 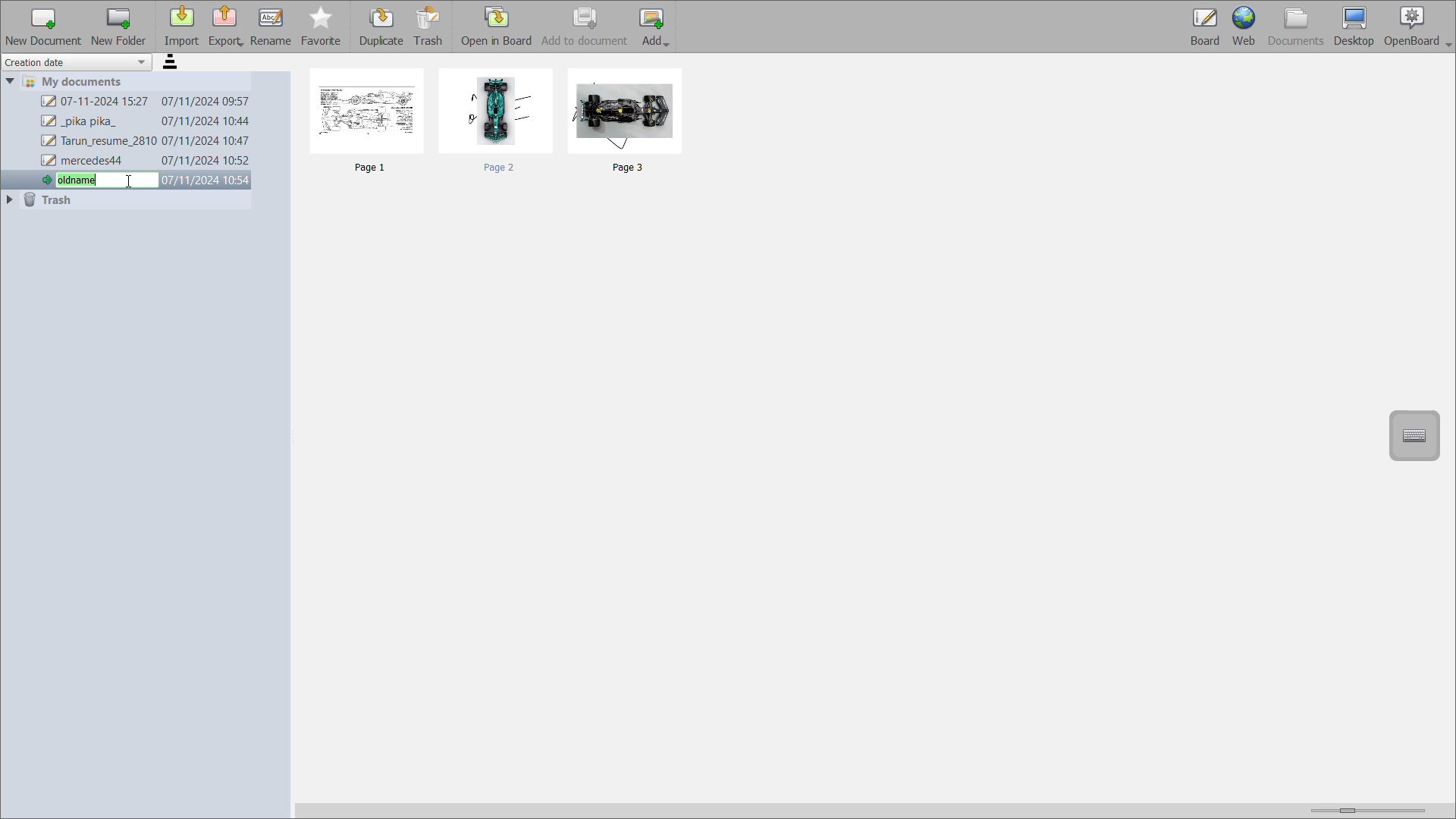 I want to click on new document, so click(x=42, y=26).